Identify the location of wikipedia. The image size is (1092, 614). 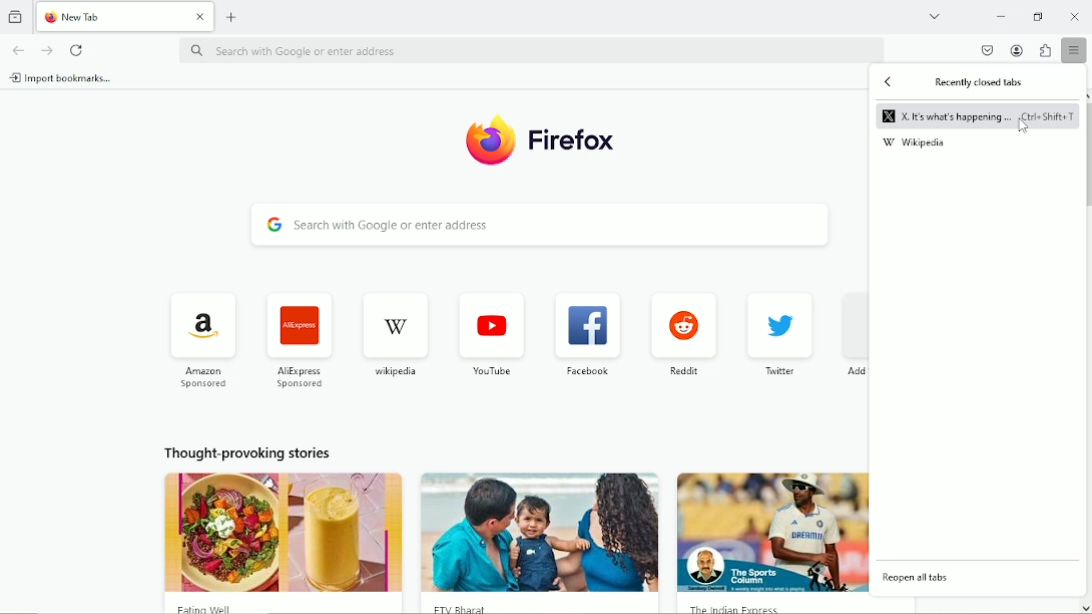
(915, 144).